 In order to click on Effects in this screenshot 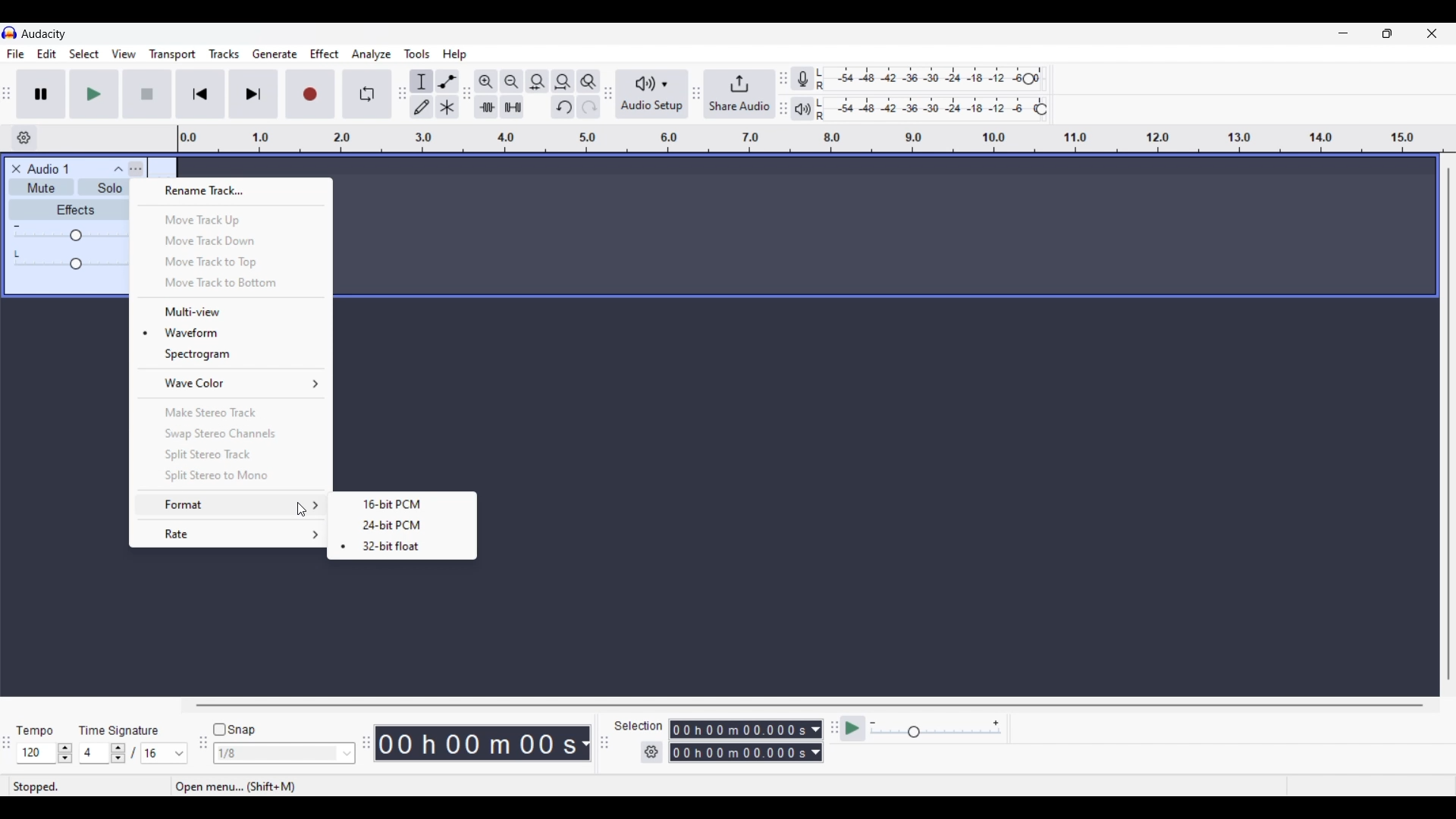, I will do `click(75, 209)`.